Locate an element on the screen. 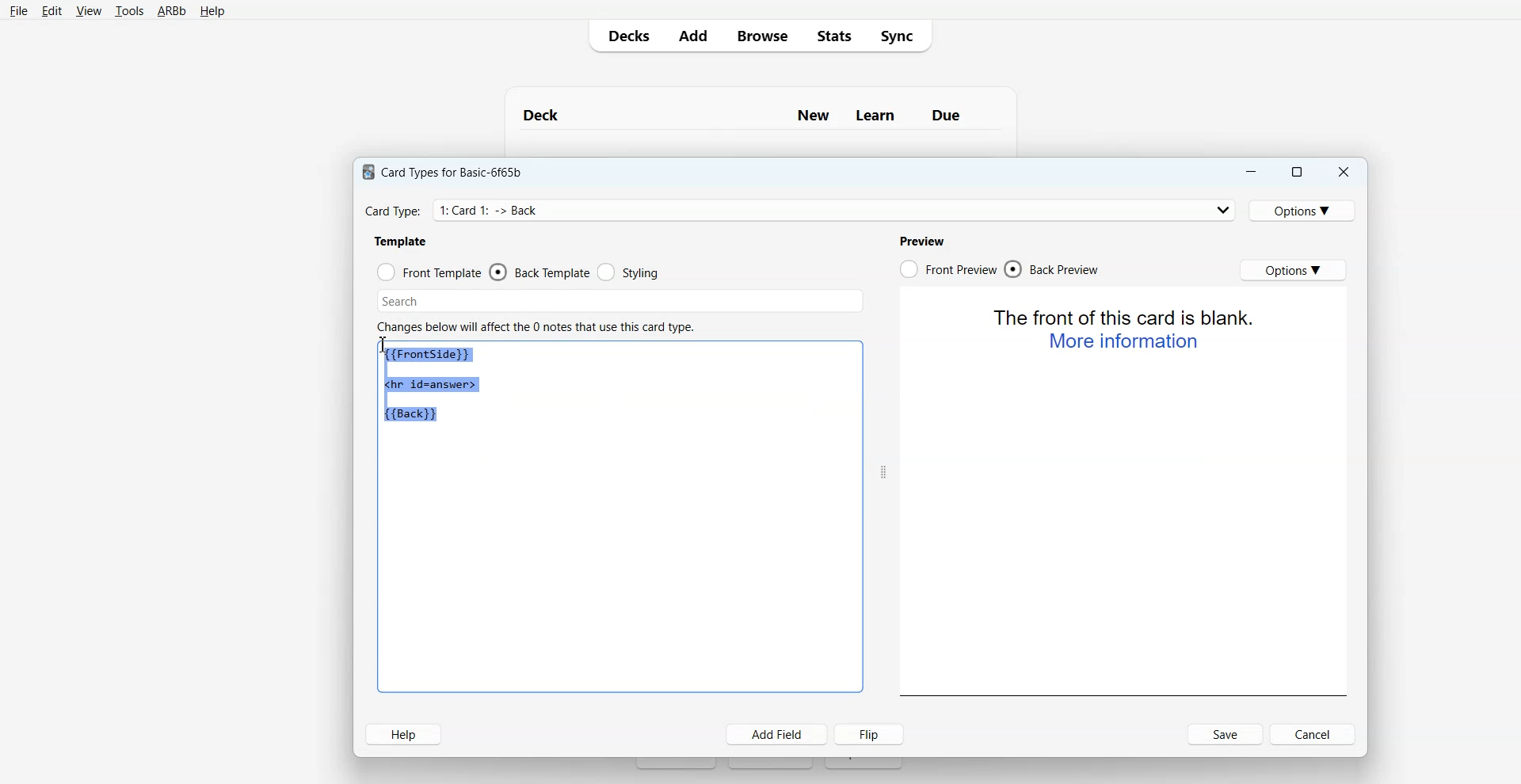 This screenshot has height=784, width=1521. Text 2 is located at coordinates (401, 241).